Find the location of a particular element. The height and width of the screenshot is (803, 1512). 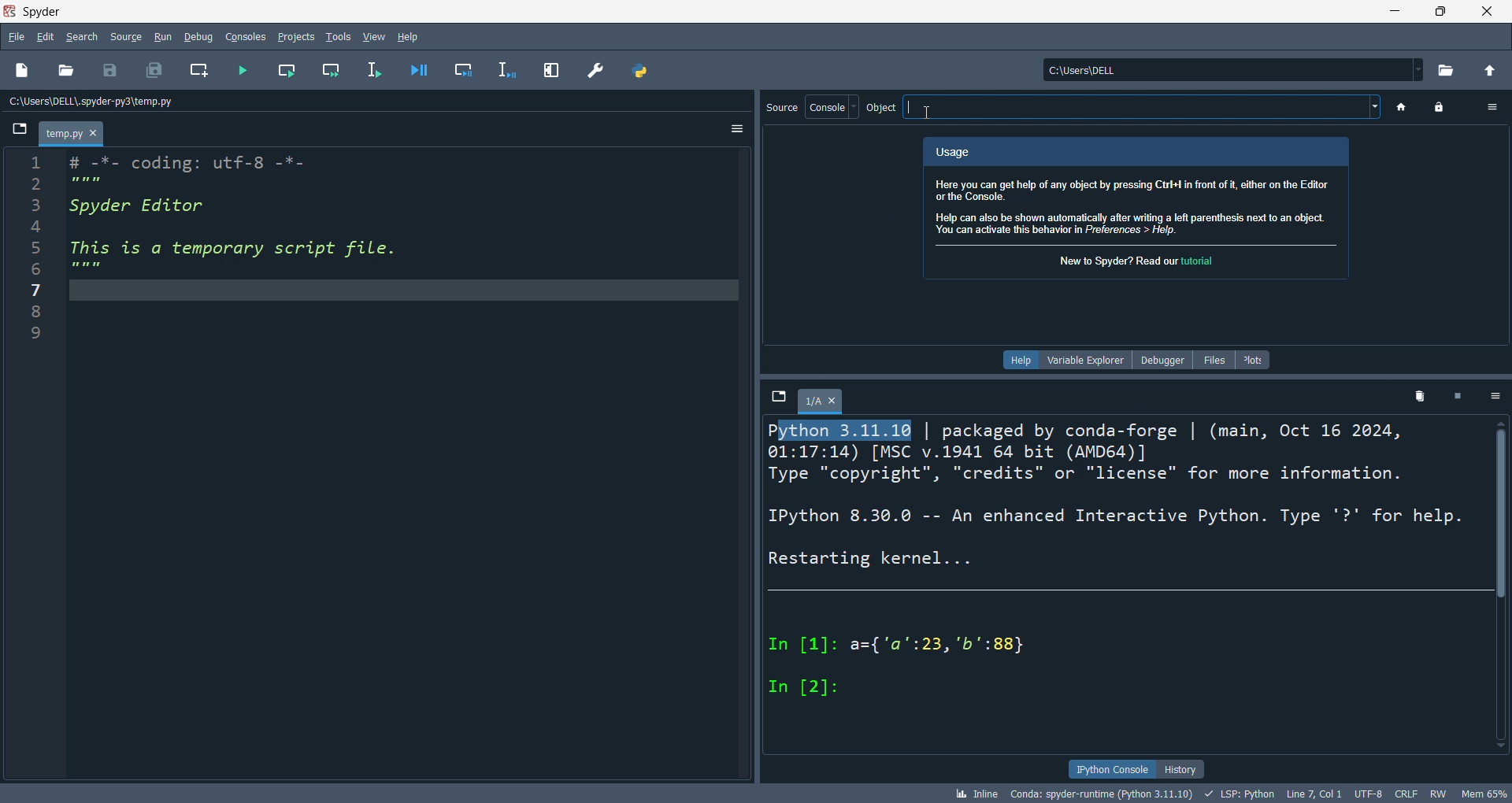

save is located at coordinates (116, 70).